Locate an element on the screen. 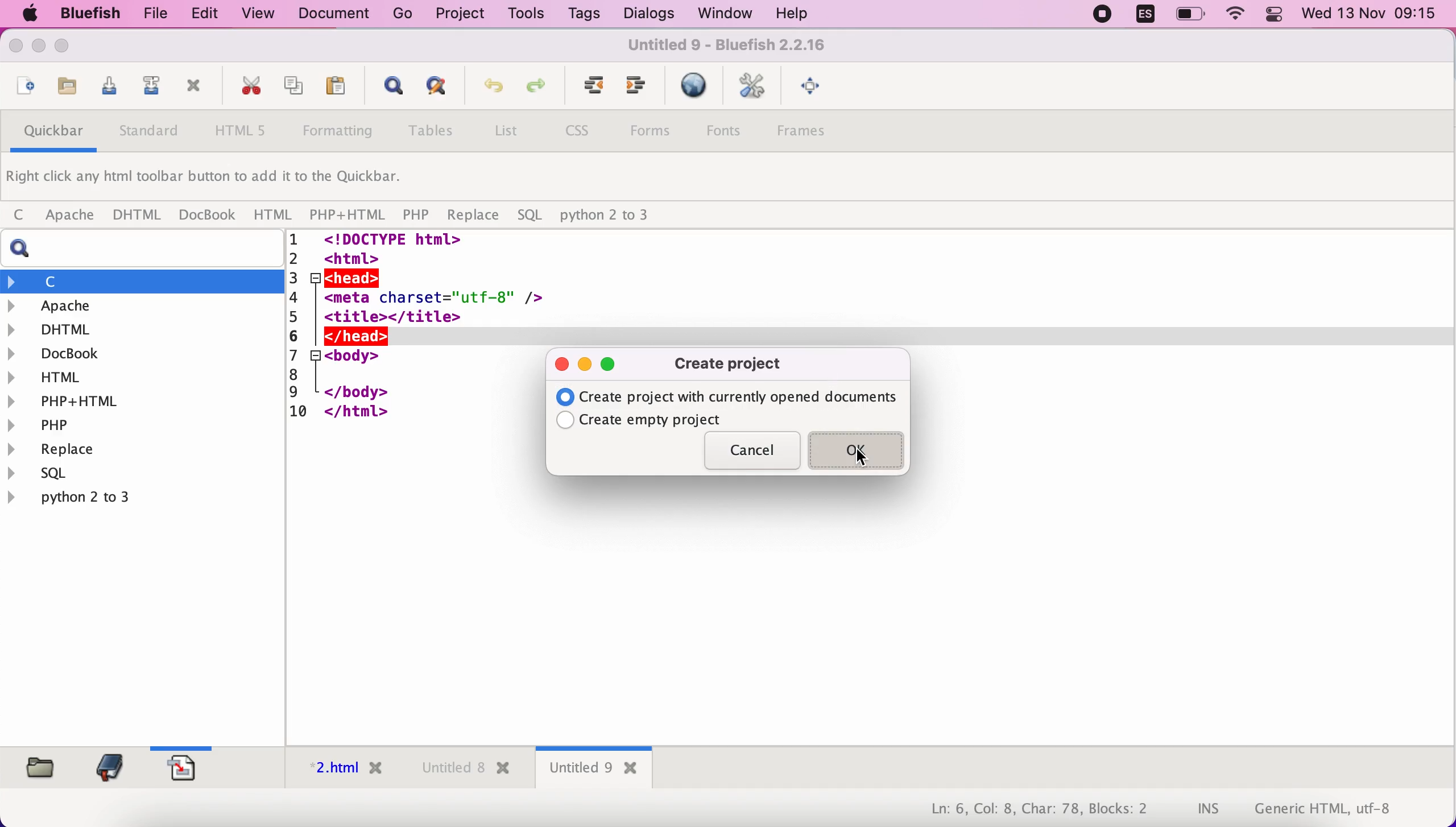 Image resolution: width=1456 pixels, height=827 pixels. tab is located at coordinates (594, 770).